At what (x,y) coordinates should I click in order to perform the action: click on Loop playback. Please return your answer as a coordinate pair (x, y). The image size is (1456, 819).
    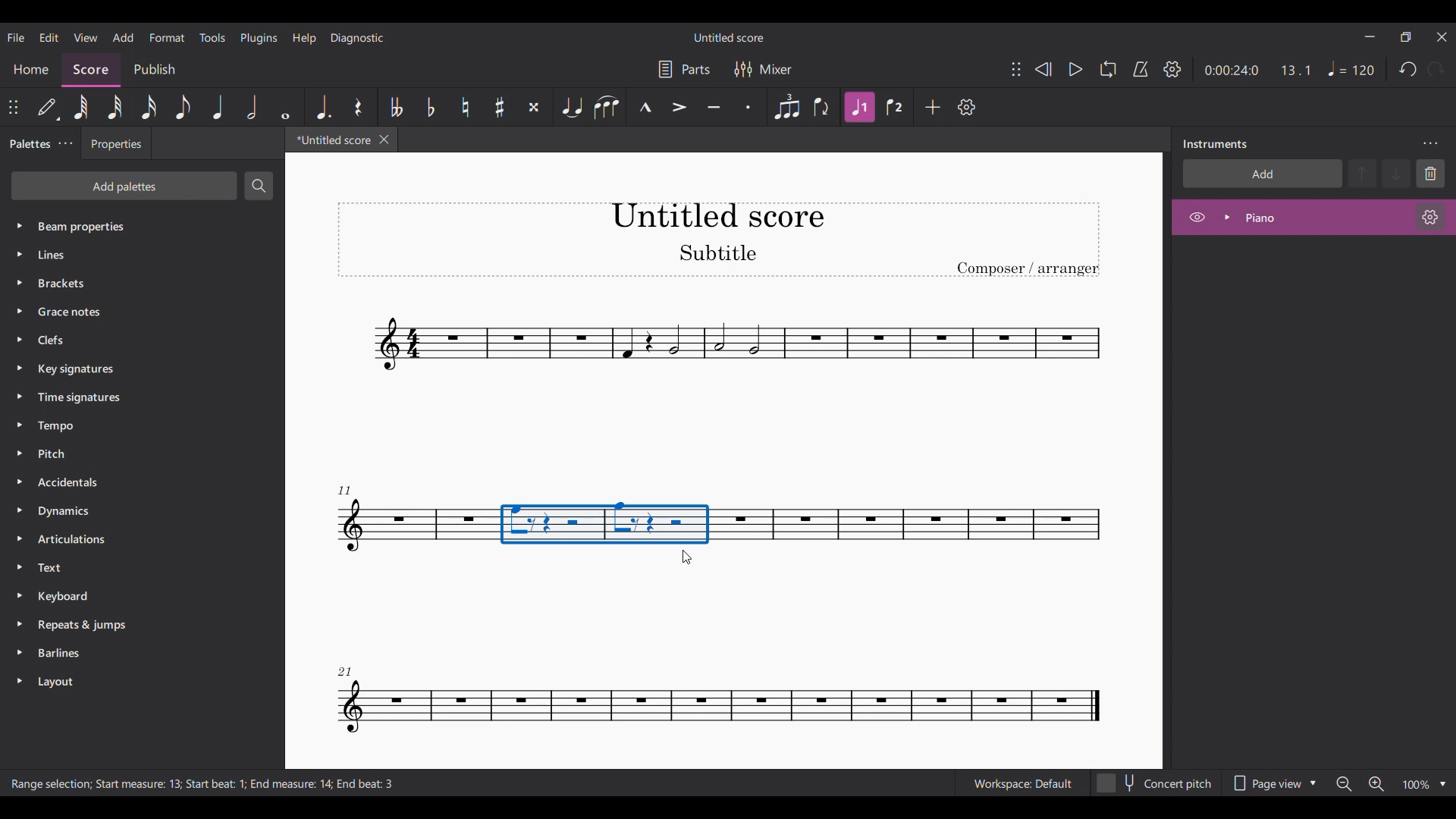
    Looking at the image, I should click on (1108, 69).